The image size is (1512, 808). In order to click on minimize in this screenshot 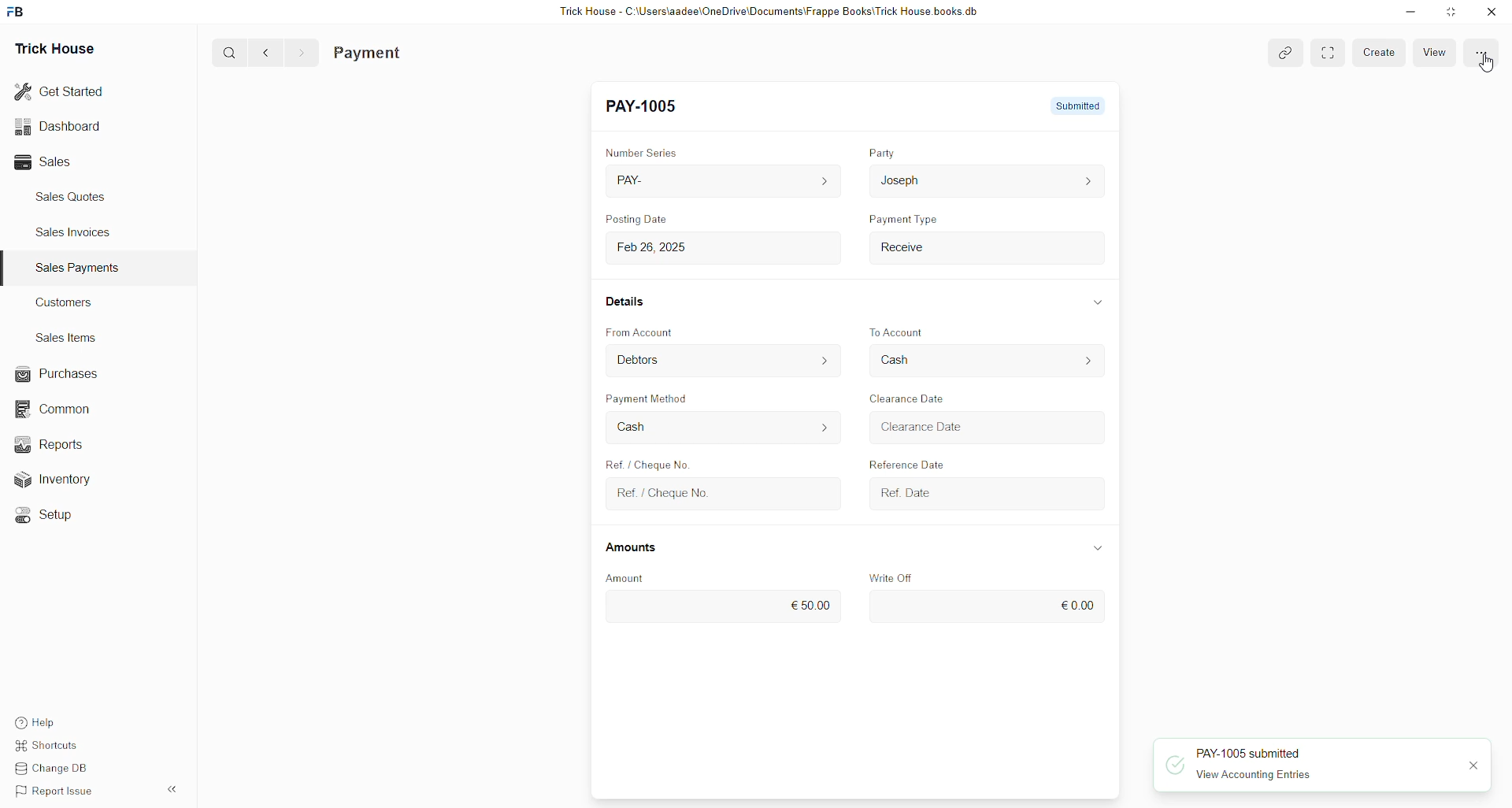, I will do `click(1411, 13)`.